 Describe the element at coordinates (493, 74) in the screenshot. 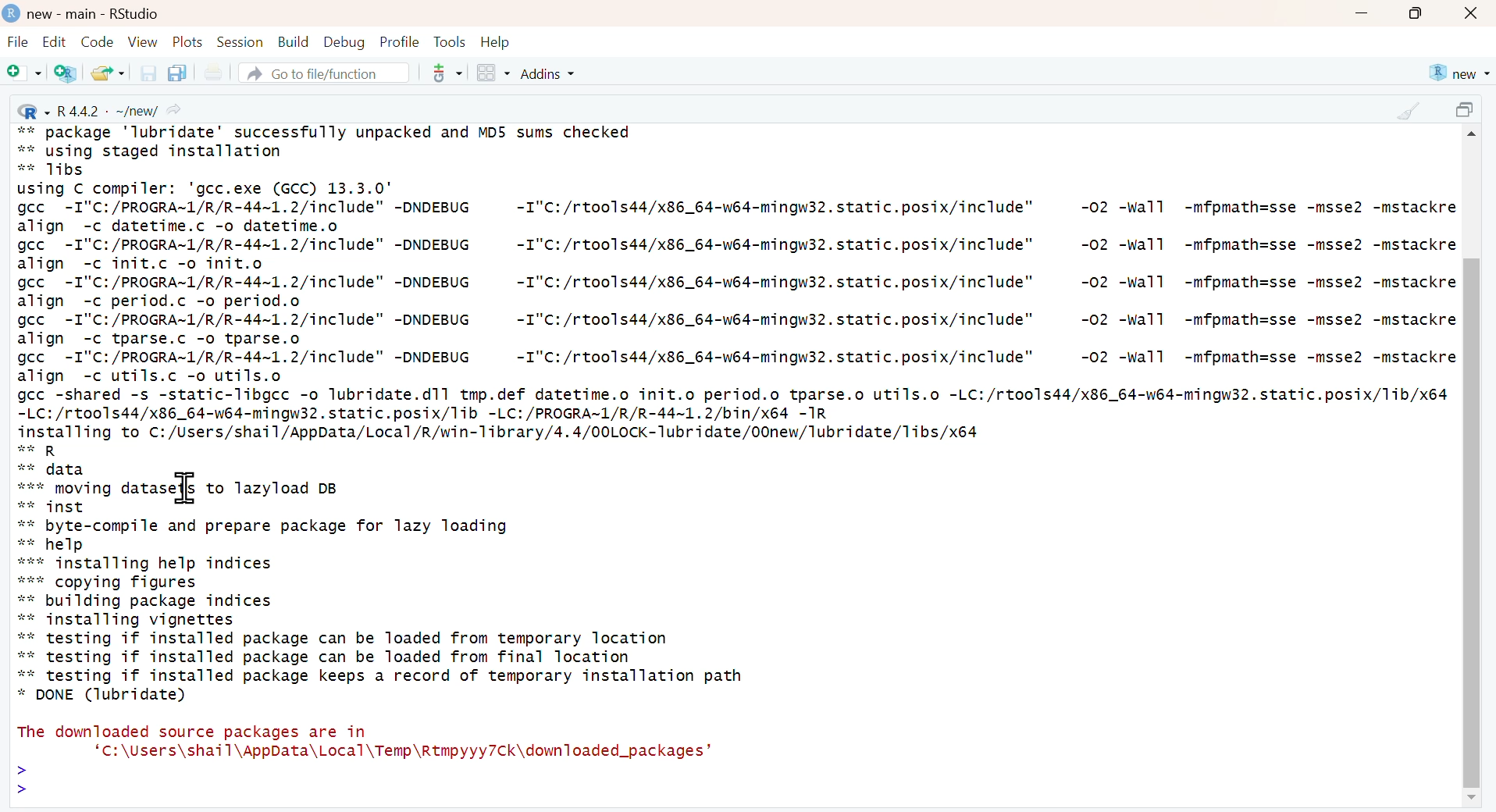

I see `Workspace panes` at that location.